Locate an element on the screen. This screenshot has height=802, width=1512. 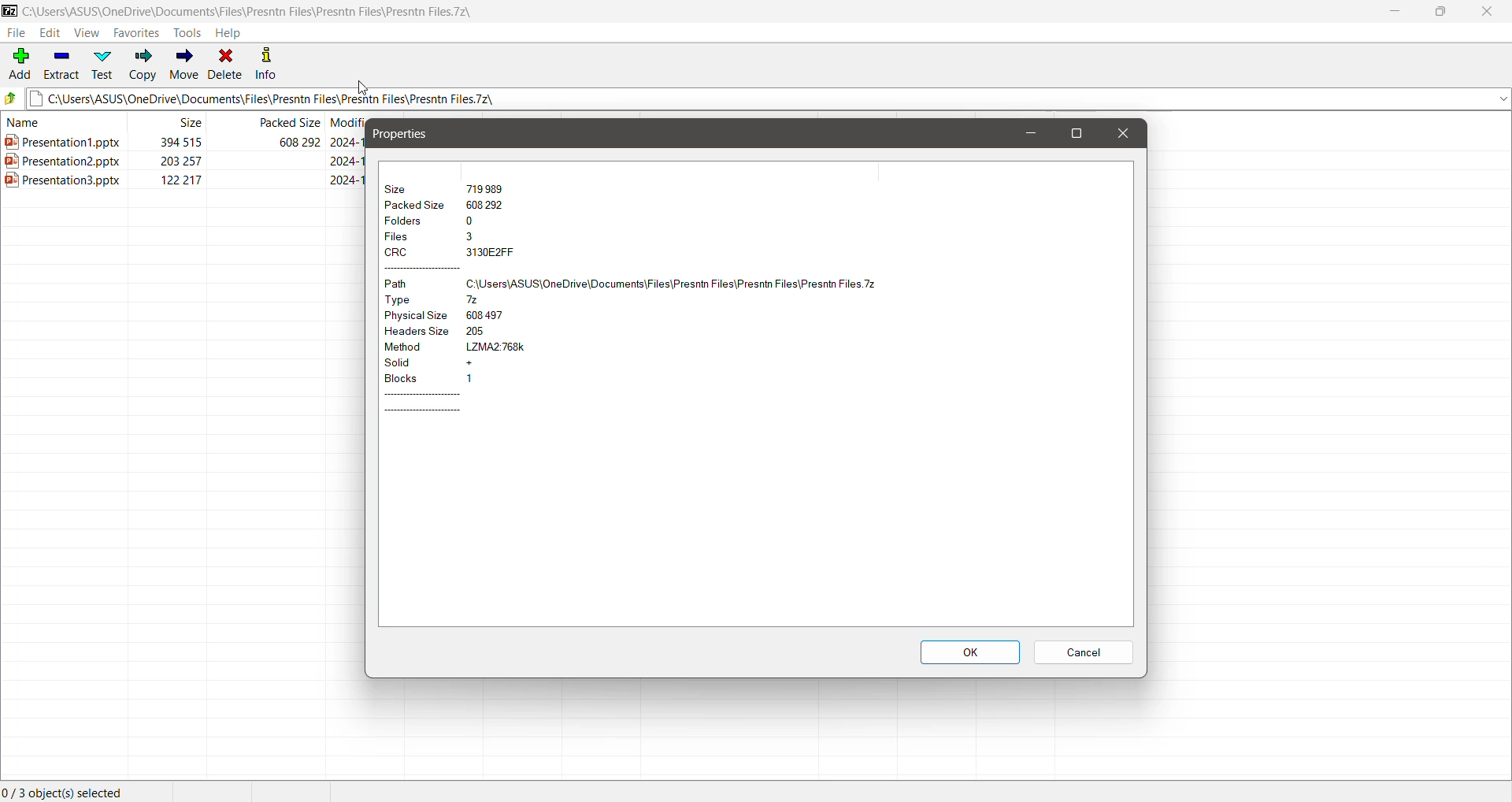
Tools is located at coordinates (189, 33).